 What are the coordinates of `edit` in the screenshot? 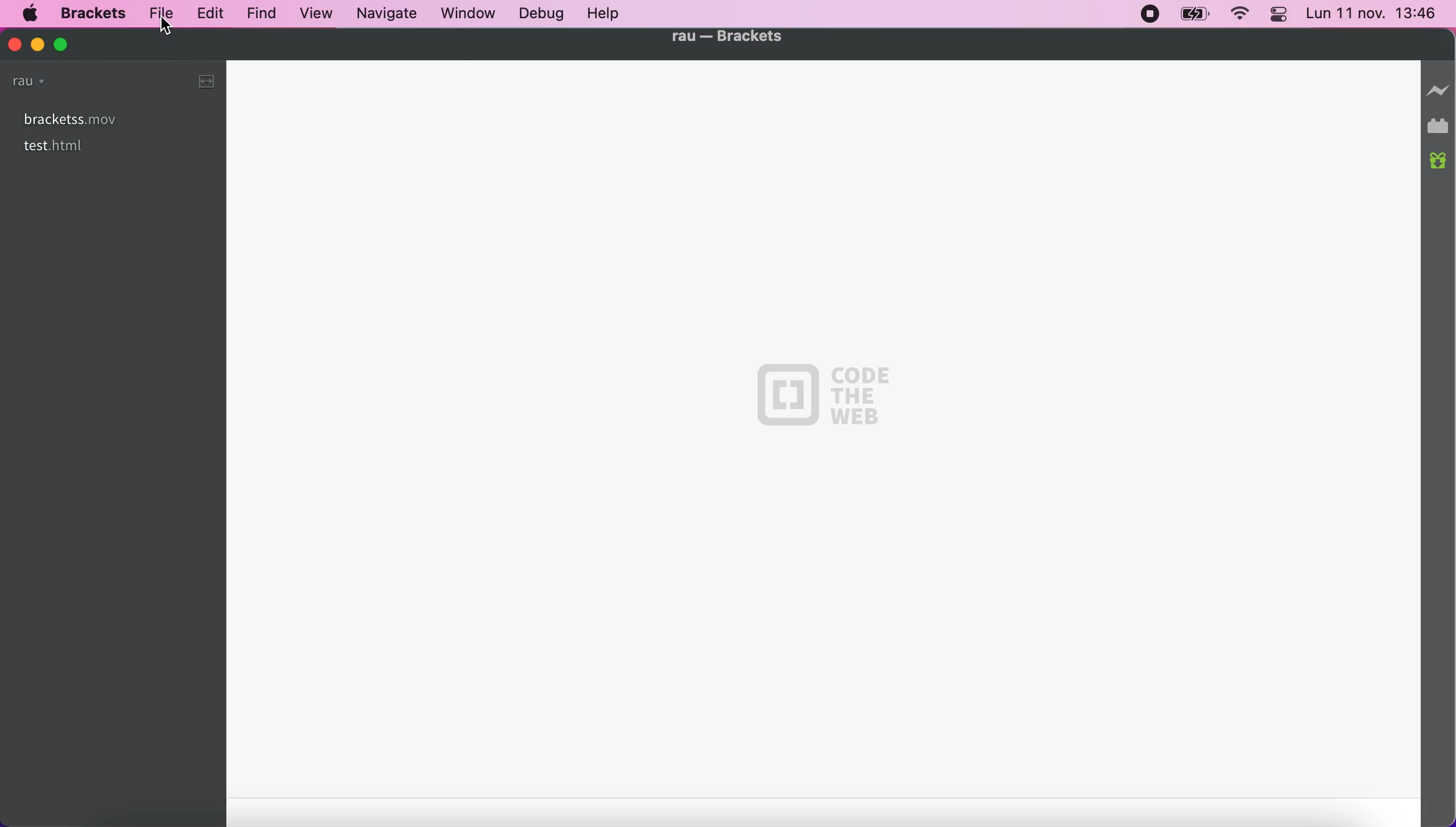 It's located at (208, 13).